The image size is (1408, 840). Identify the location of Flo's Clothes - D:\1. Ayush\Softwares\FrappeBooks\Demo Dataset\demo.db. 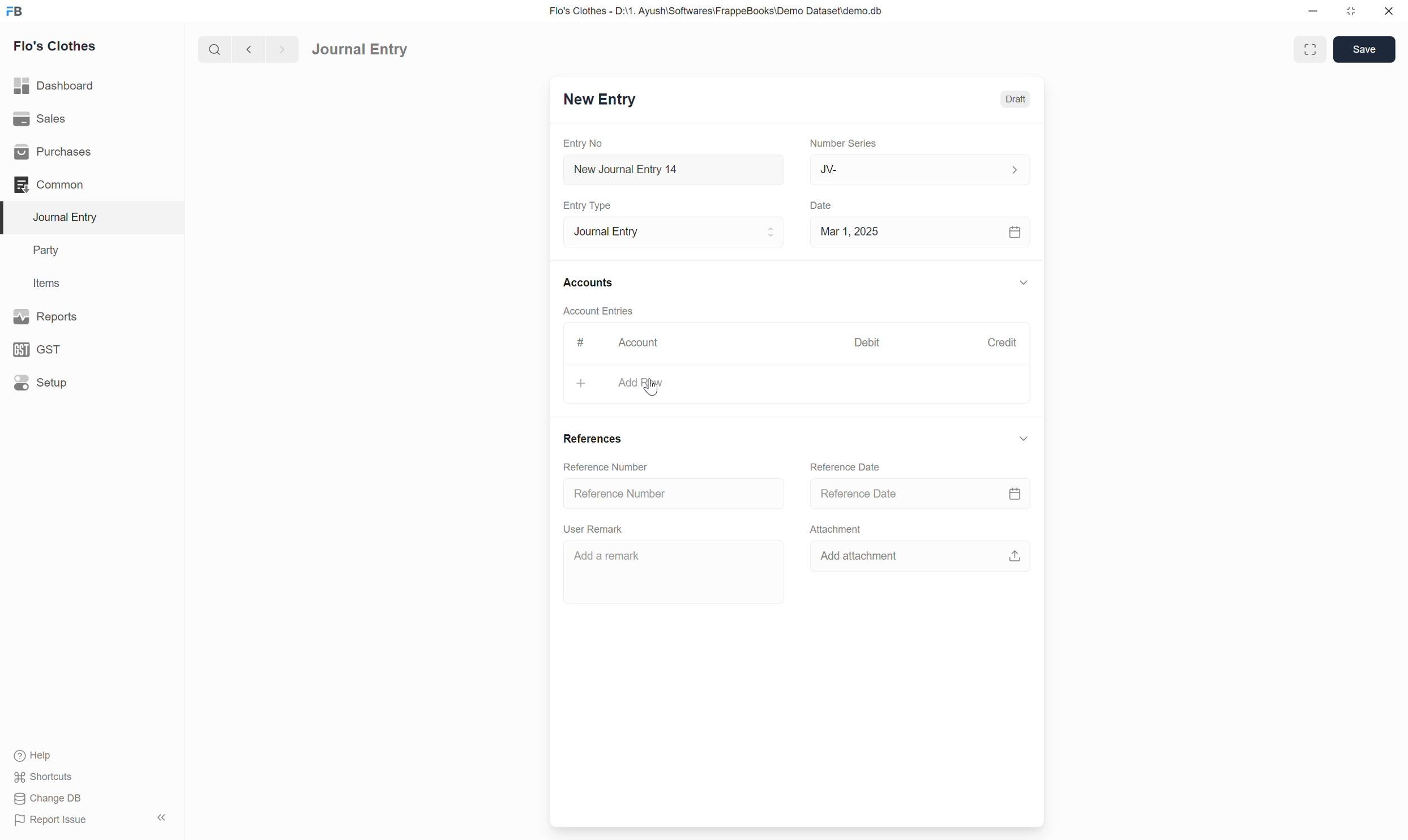
(719, 10).